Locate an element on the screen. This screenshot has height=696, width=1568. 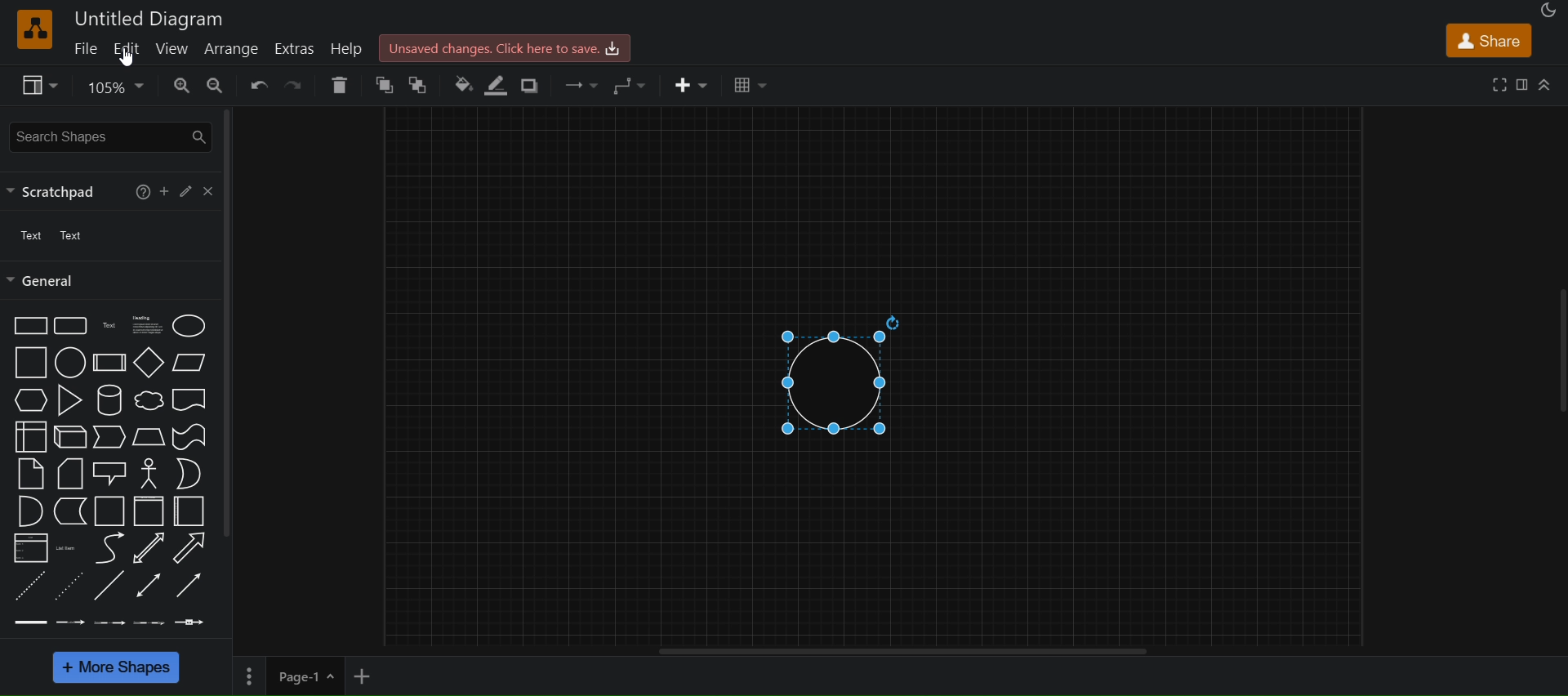
callout is located at coordinates (109, 473).